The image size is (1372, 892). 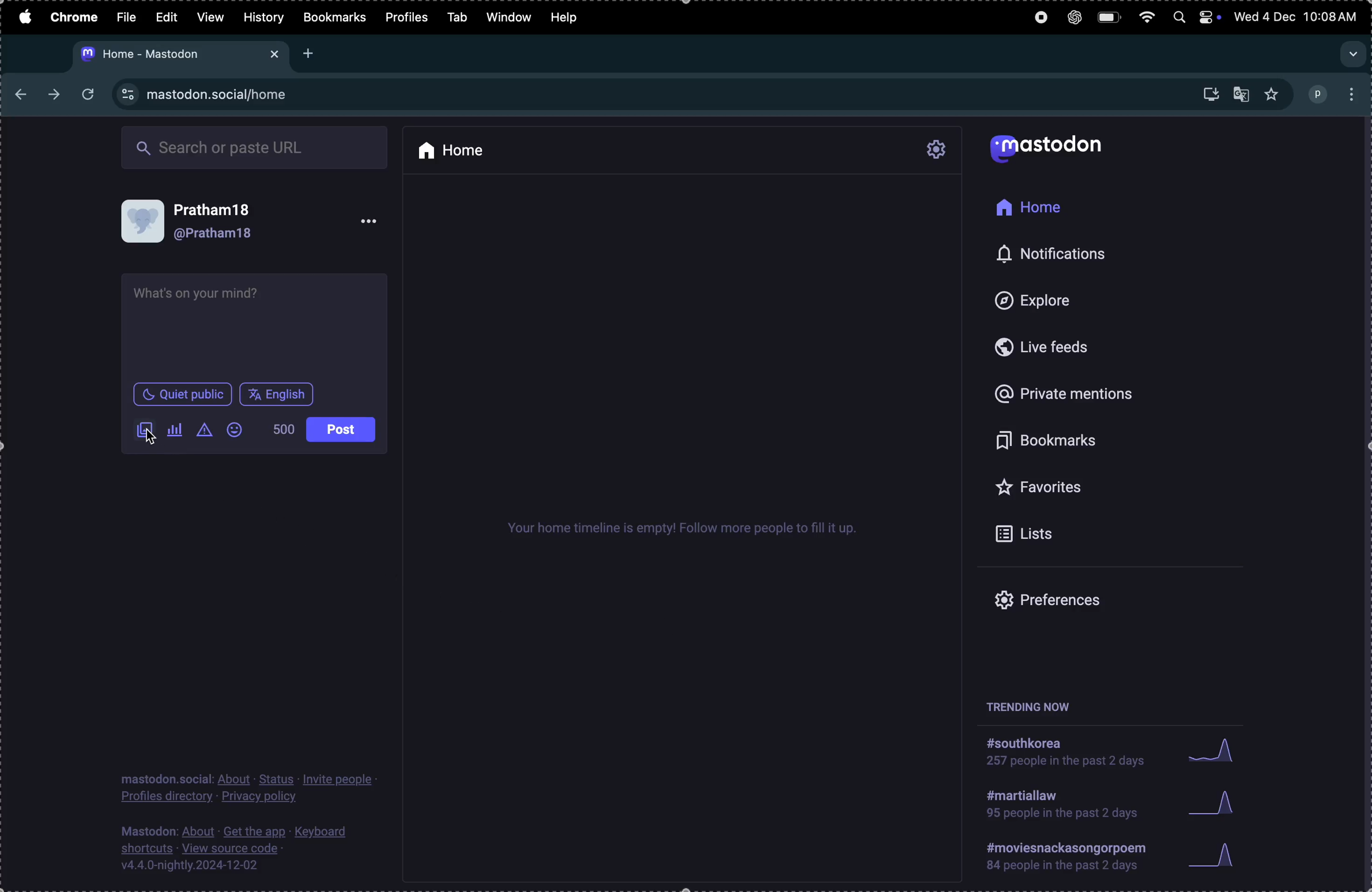 What do you see at coordinates (263, 17) in the screenshot?
I see `History` at bounding box center [263, 17].